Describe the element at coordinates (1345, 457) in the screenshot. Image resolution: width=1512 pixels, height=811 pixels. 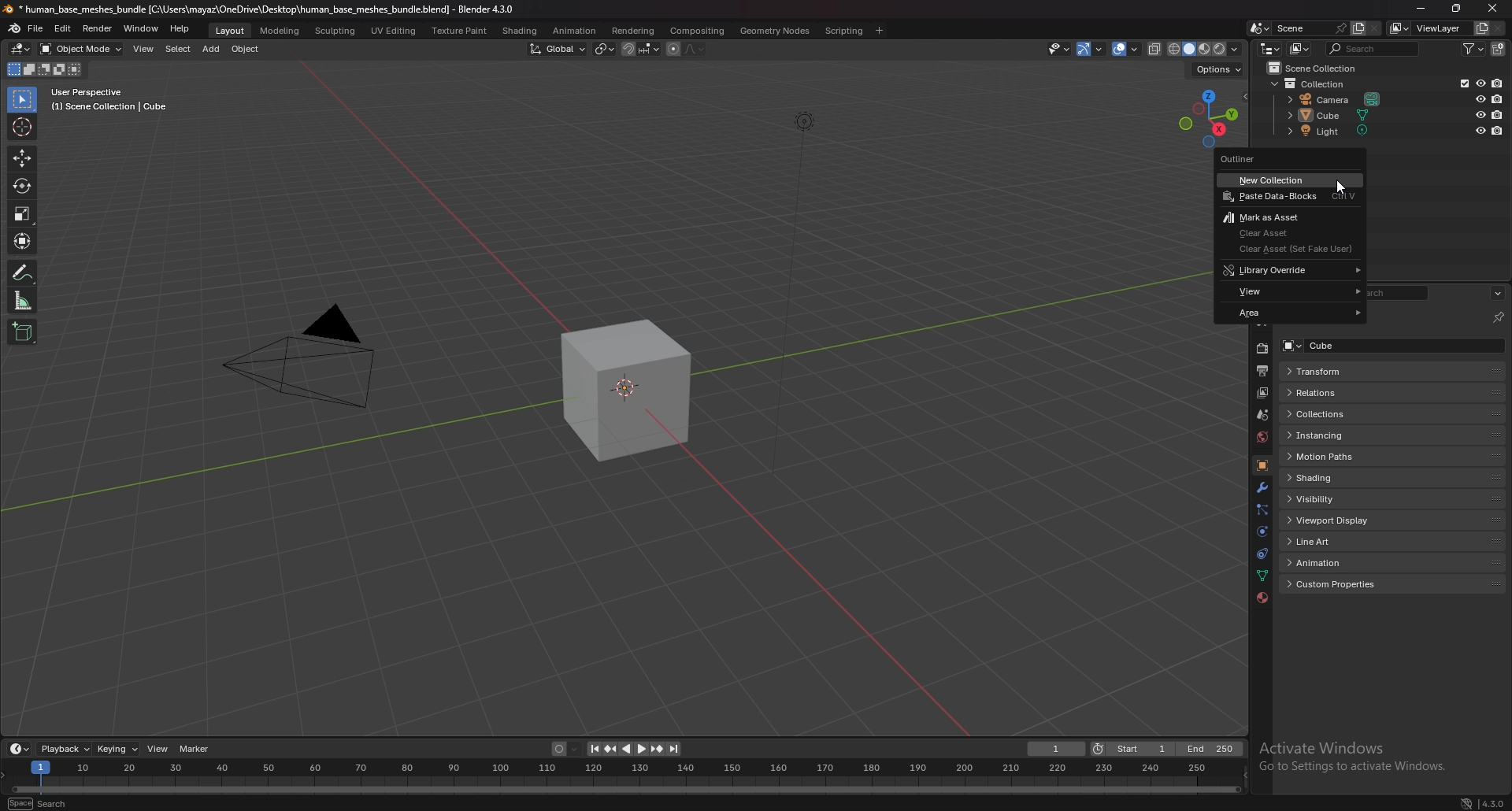
I see `motion paths` at that location.